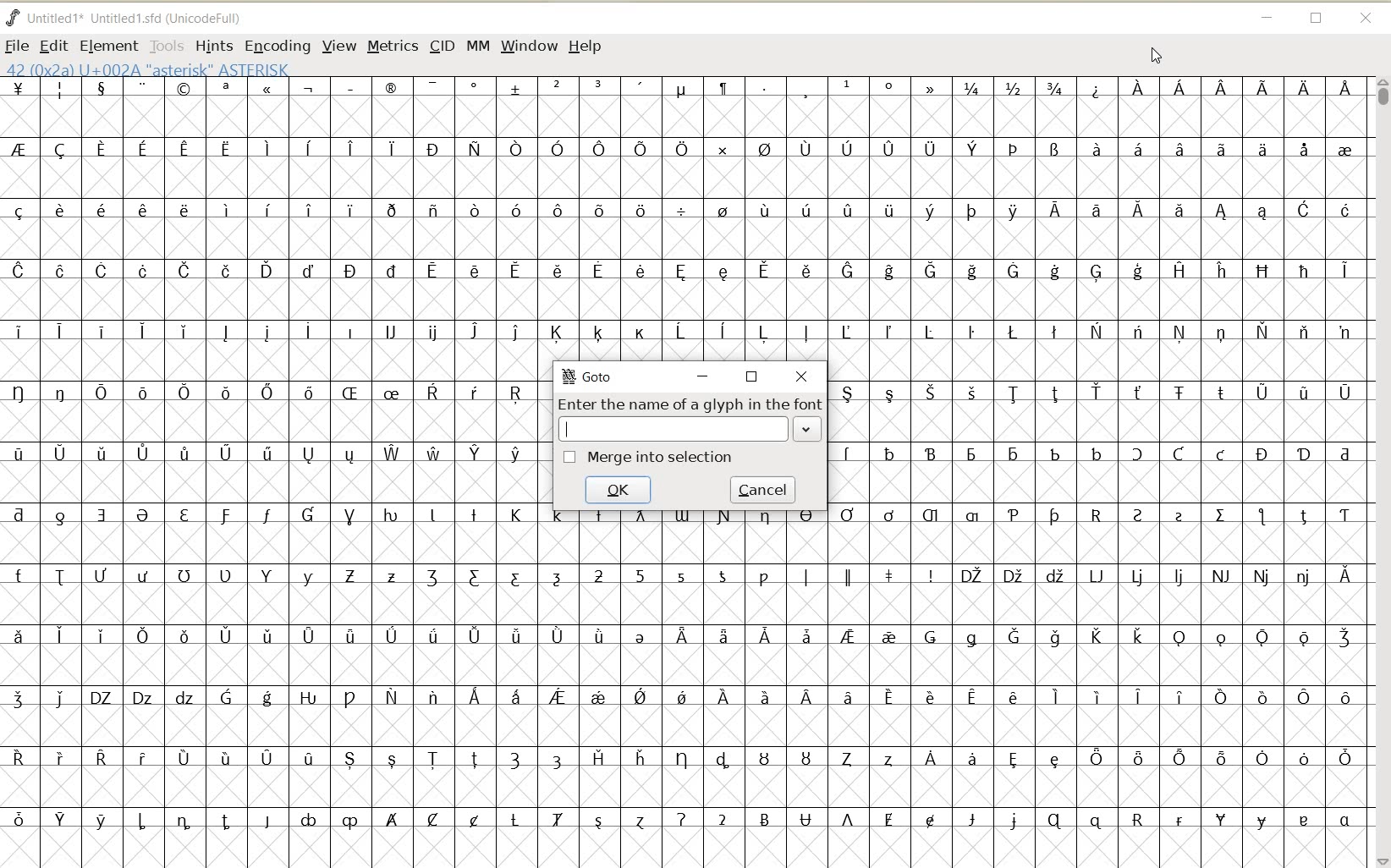 This screenshot has width=1391, height=868. What do you see at coordinates (1156, 57) in the screenshot?
I see `CURSOR` at bounding box center [1156, 57].